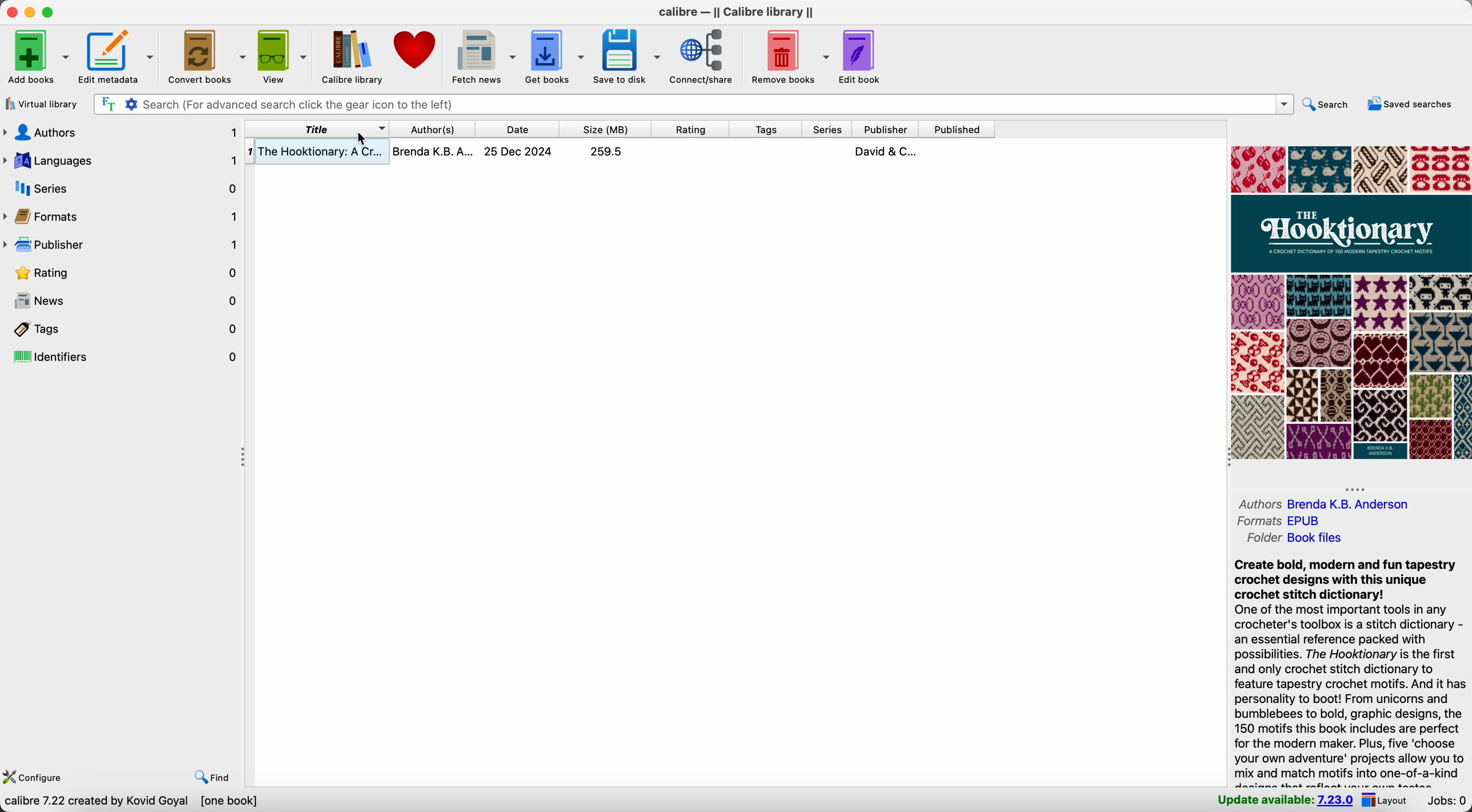 This screenshot has height=812, width=1472. Describe the element at coordinates (34, 777) in the screenshot. I see `configure` at that location.